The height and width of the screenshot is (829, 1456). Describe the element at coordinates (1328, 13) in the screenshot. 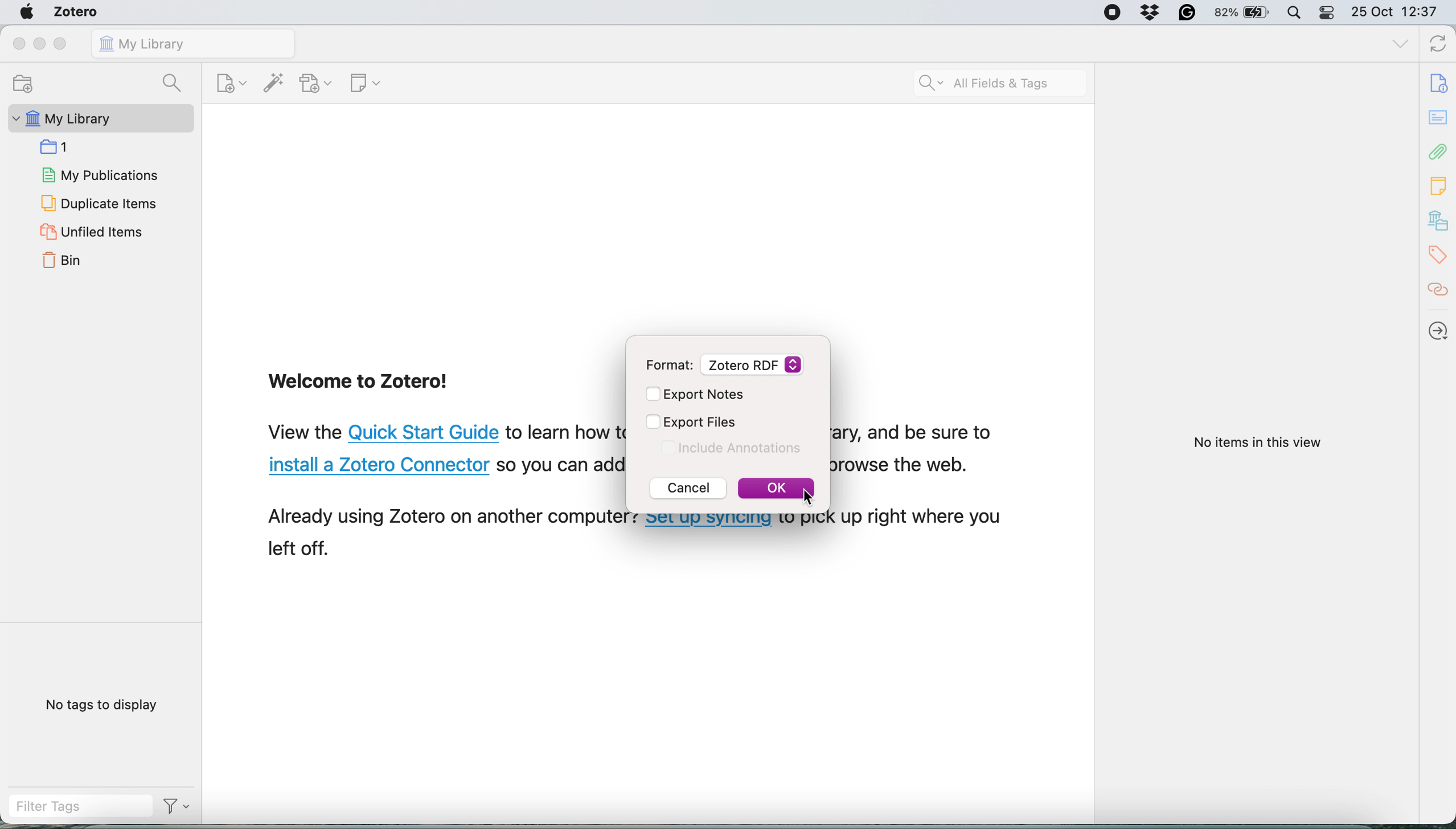

I see `control center` at that location.